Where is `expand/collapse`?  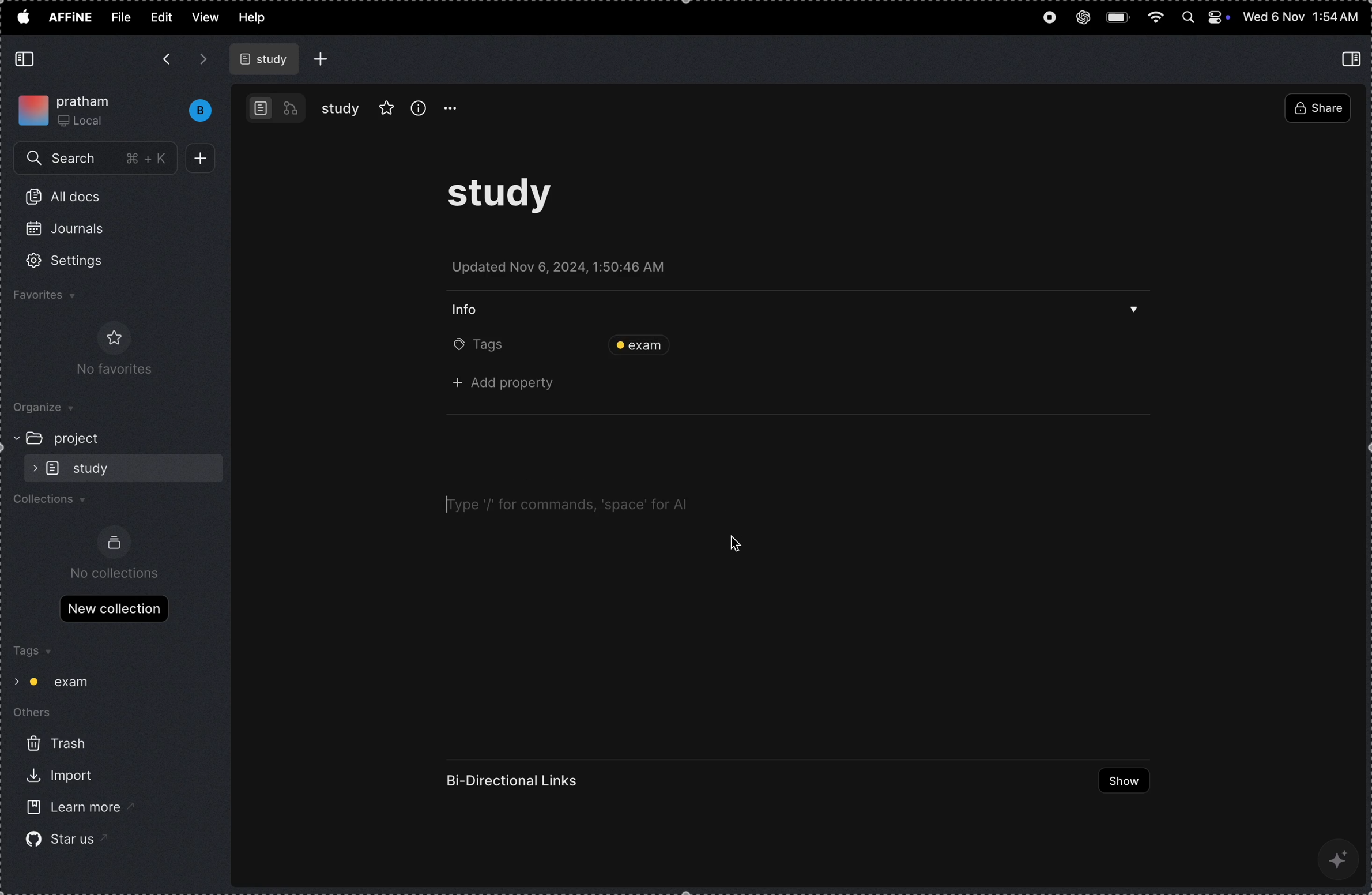 expand/collapse is located at coordinates (12, 437).